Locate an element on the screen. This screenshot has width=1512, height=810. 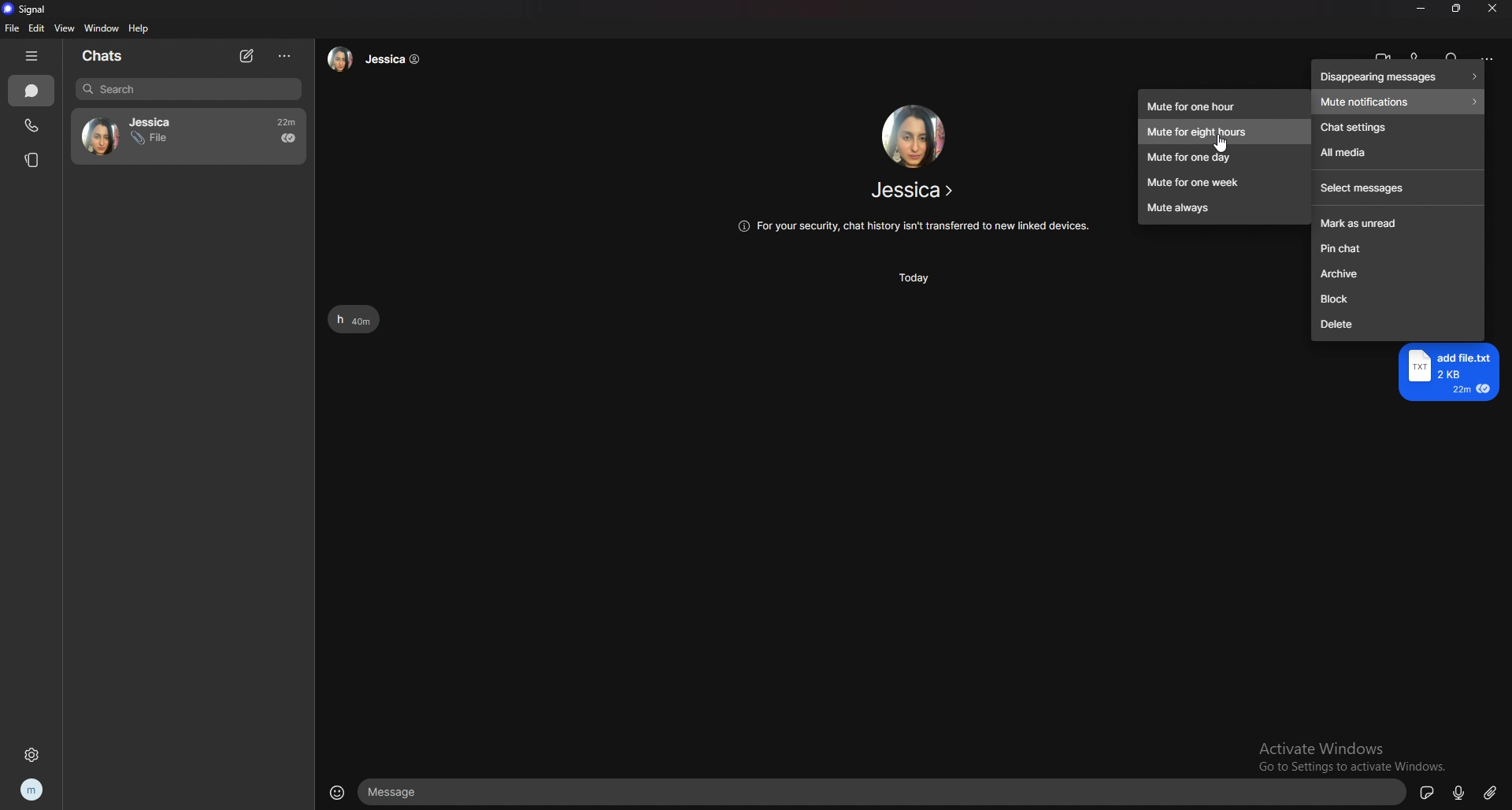
Jessica is located at coordinates (157, 121).